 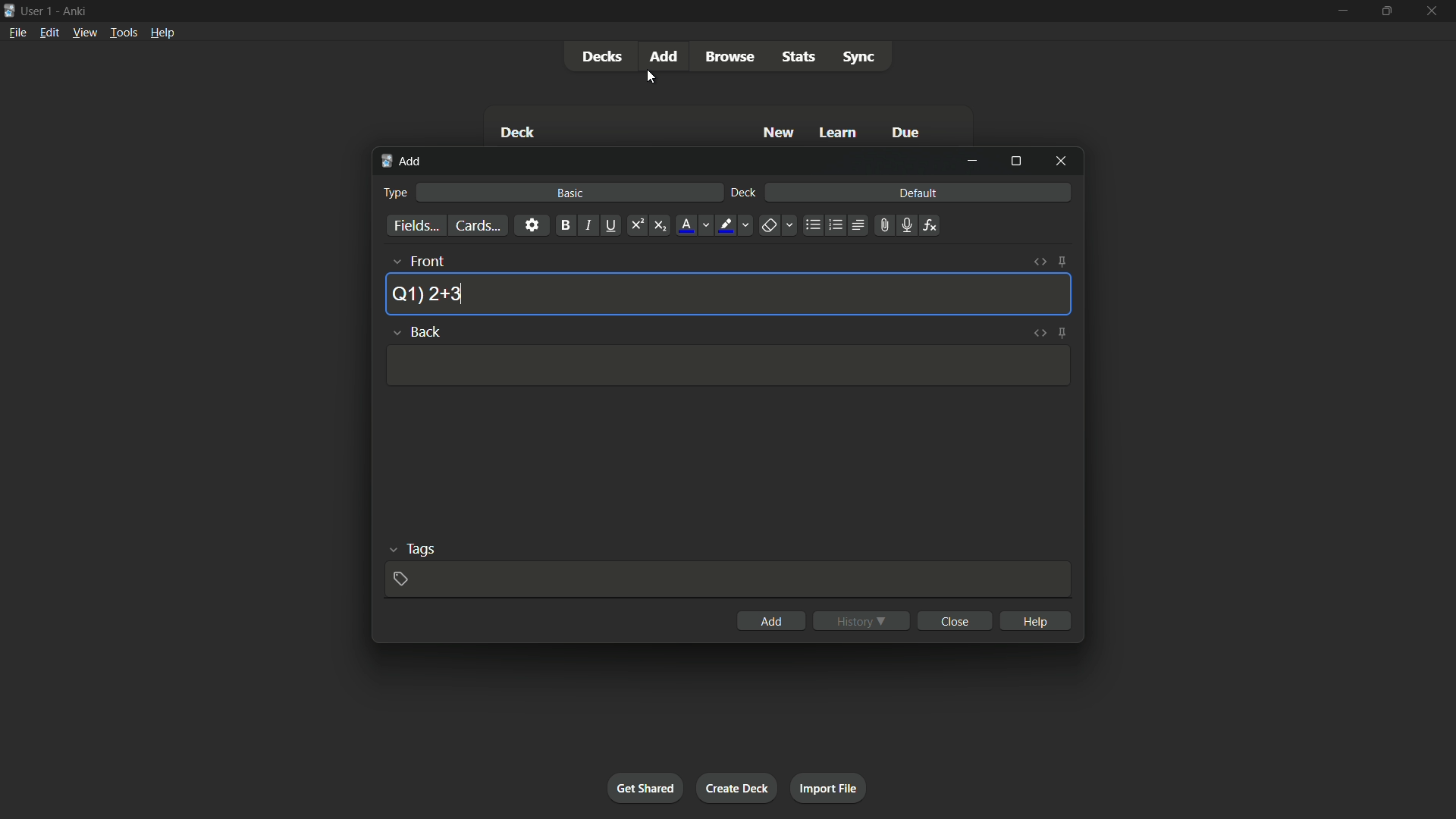 I want to click on help, so click(x=1037, y=620).